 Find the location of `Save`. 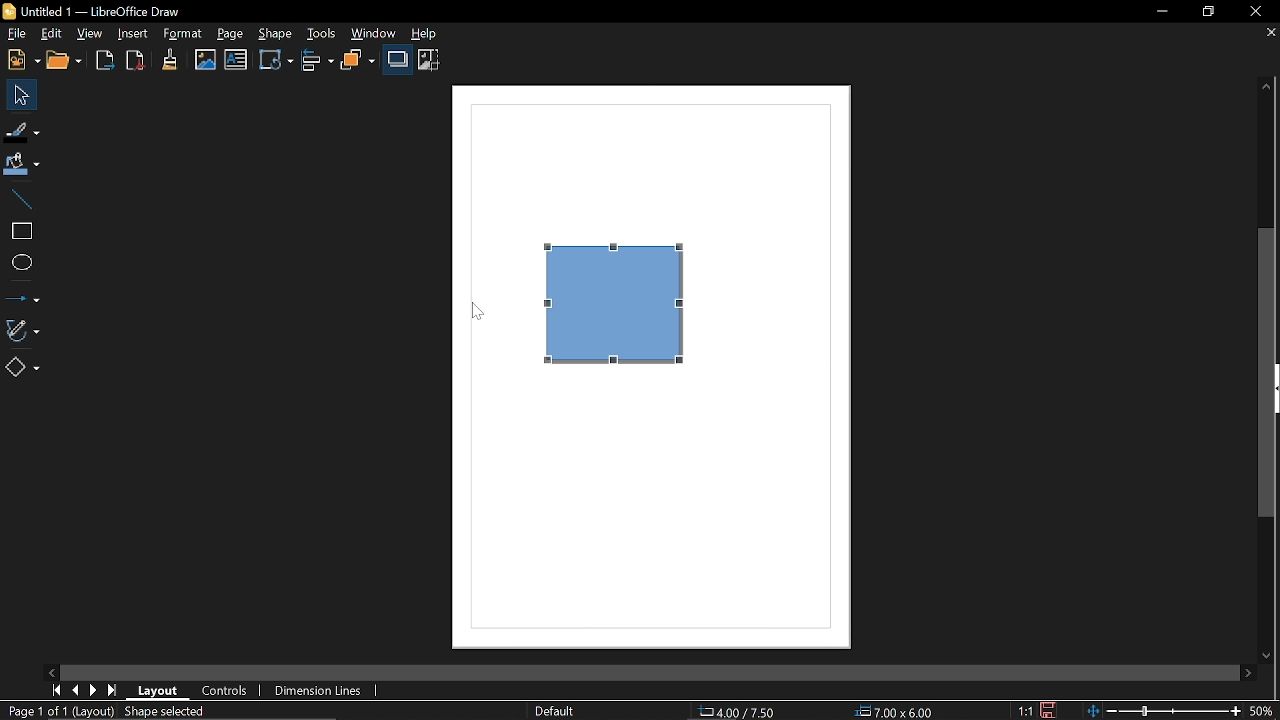

Save is located at coordinates (1050, 711).